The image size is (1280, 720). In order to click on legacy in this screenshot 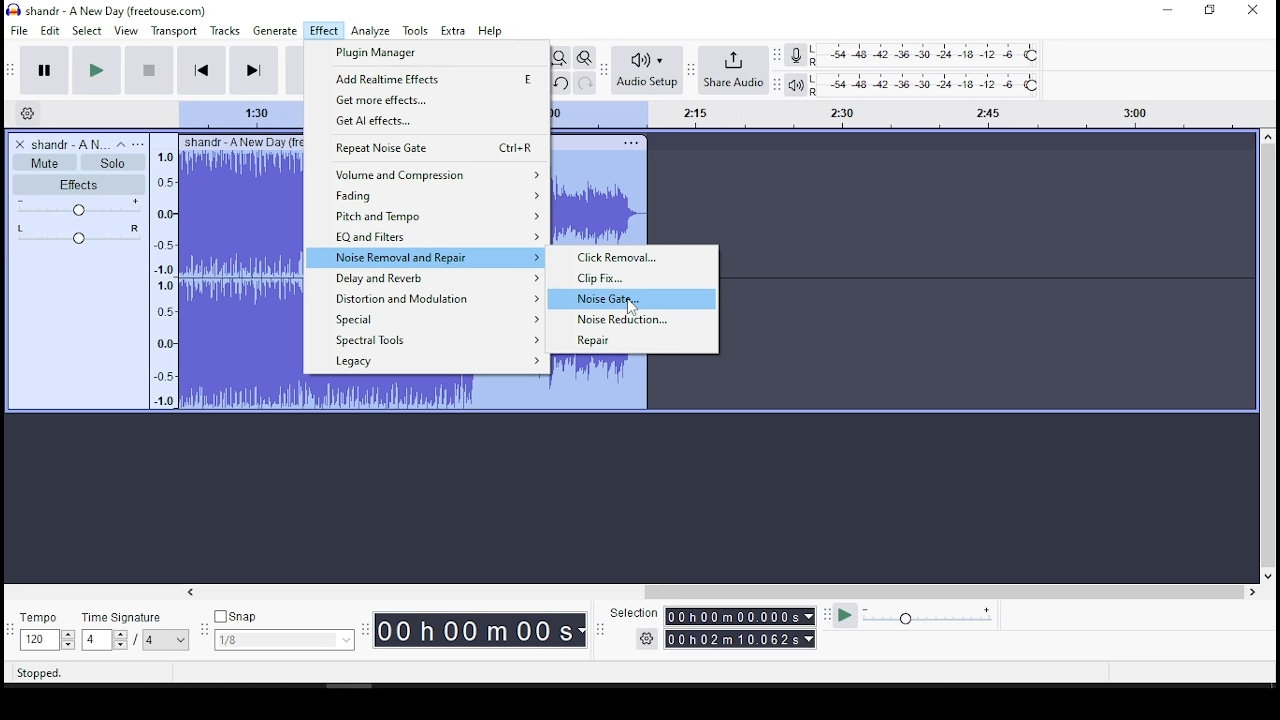, I will do `click(425, 362)`.